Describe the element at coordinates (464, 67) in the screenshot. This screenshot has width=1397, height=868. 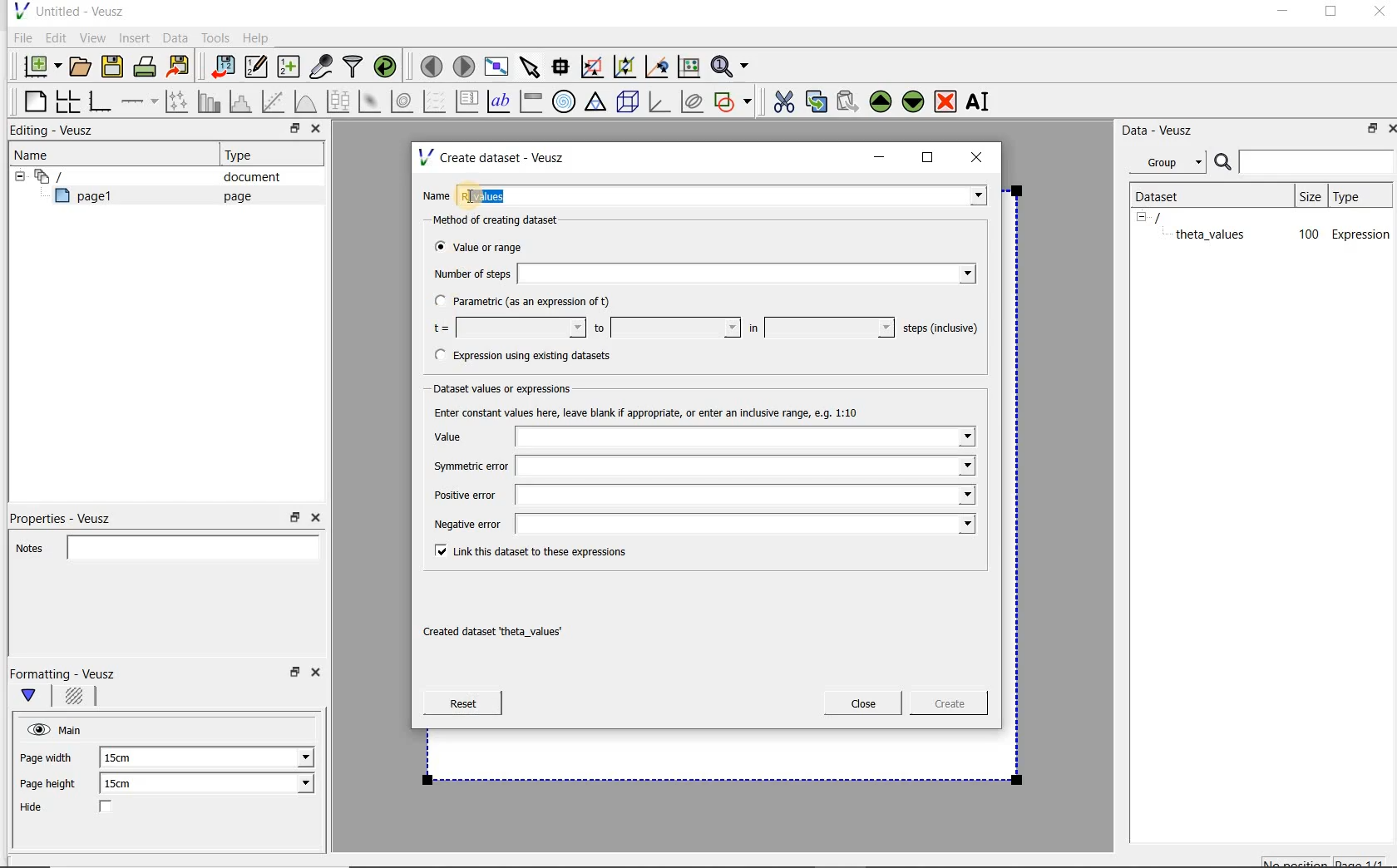
I see `move to the next page` at that location.